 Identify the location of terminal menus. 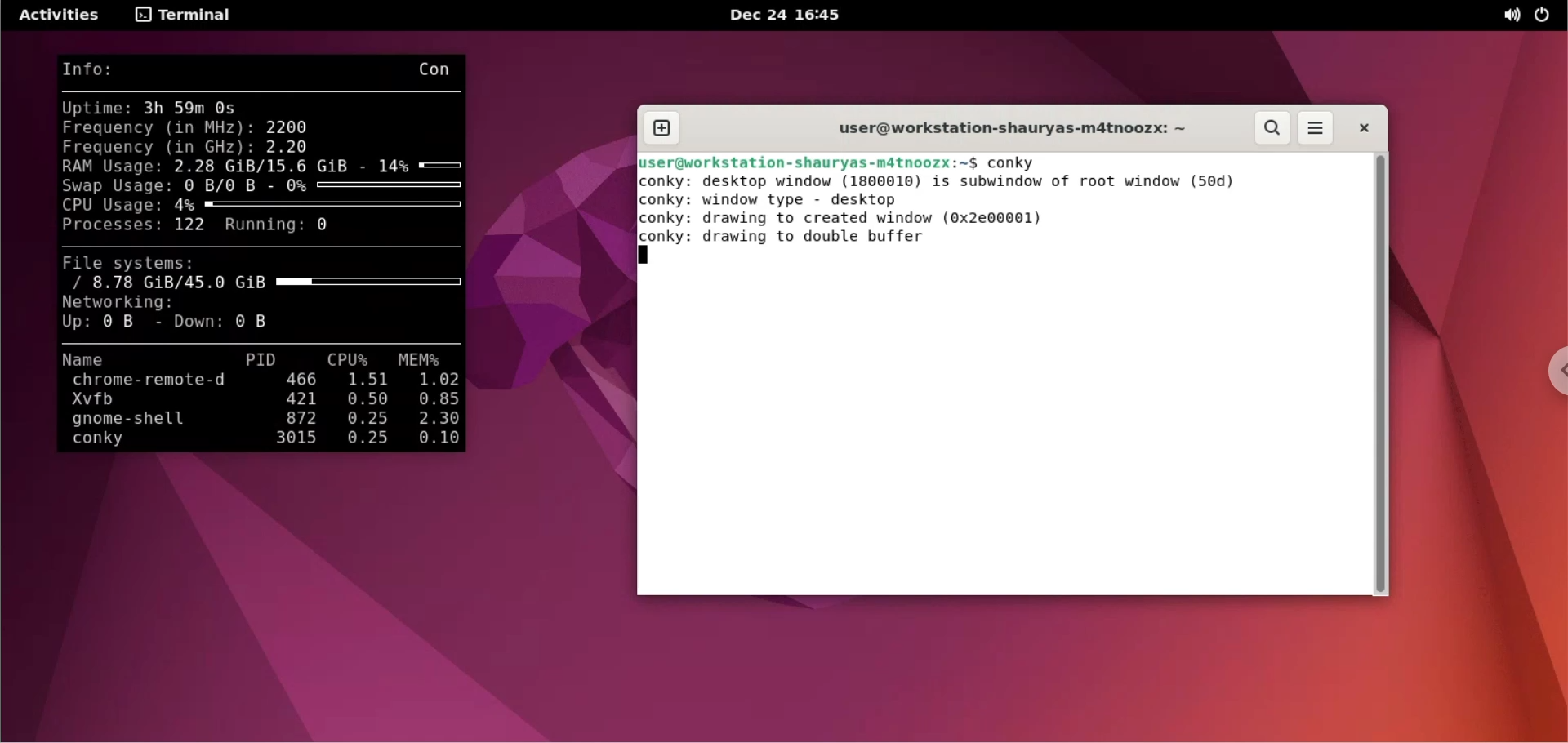
(1314, 129).